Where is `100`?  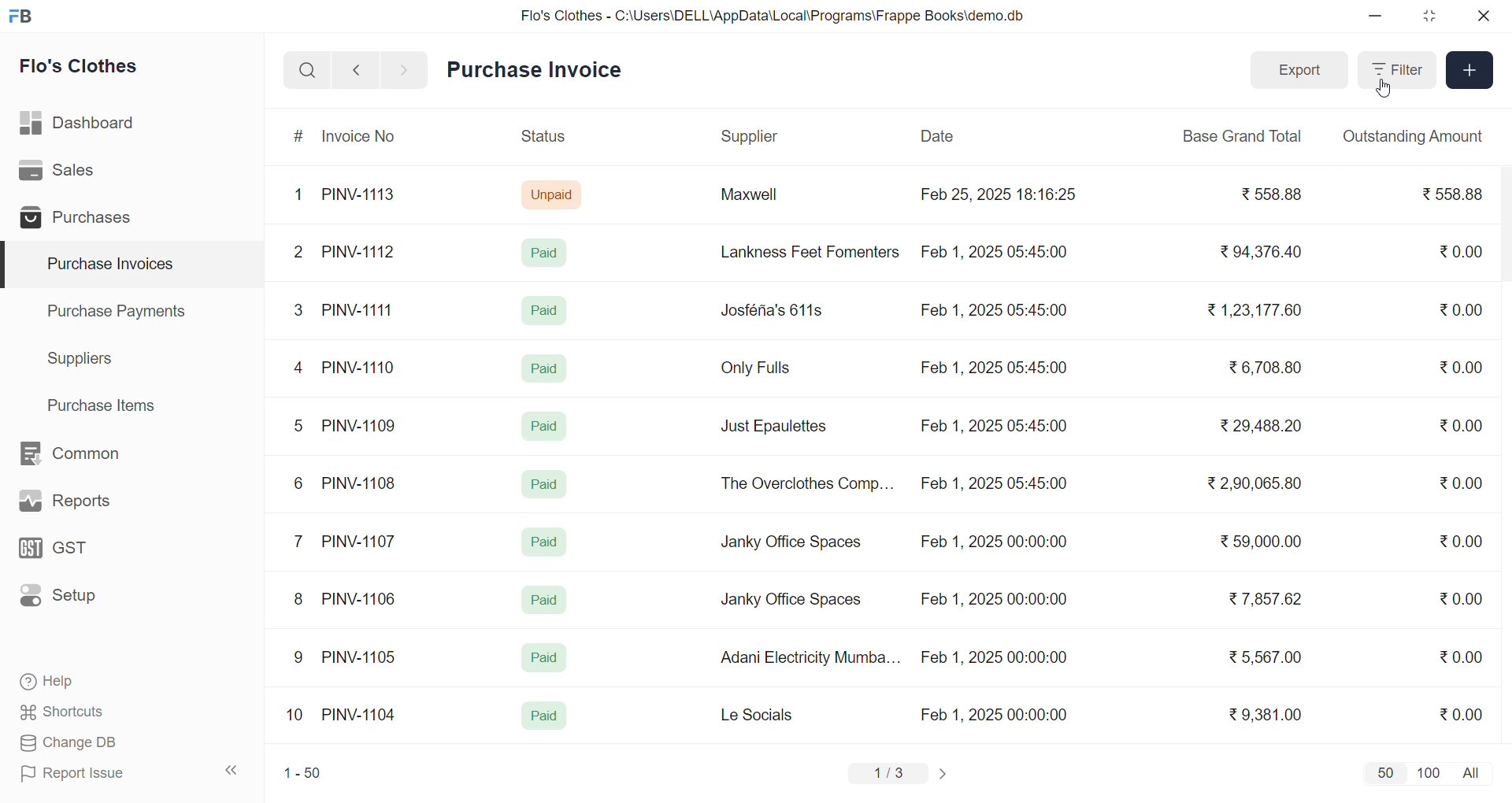
100 is located at coordinates (1426, 772).